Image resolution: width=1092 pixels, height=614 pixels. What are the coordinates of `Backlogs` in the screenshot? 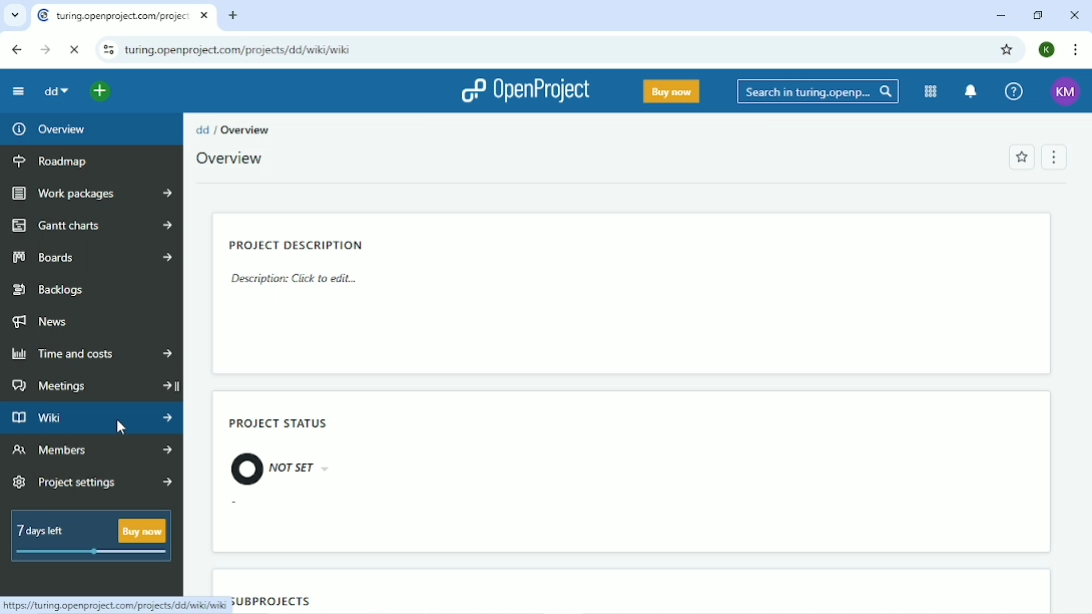 It's located at (48, 289).